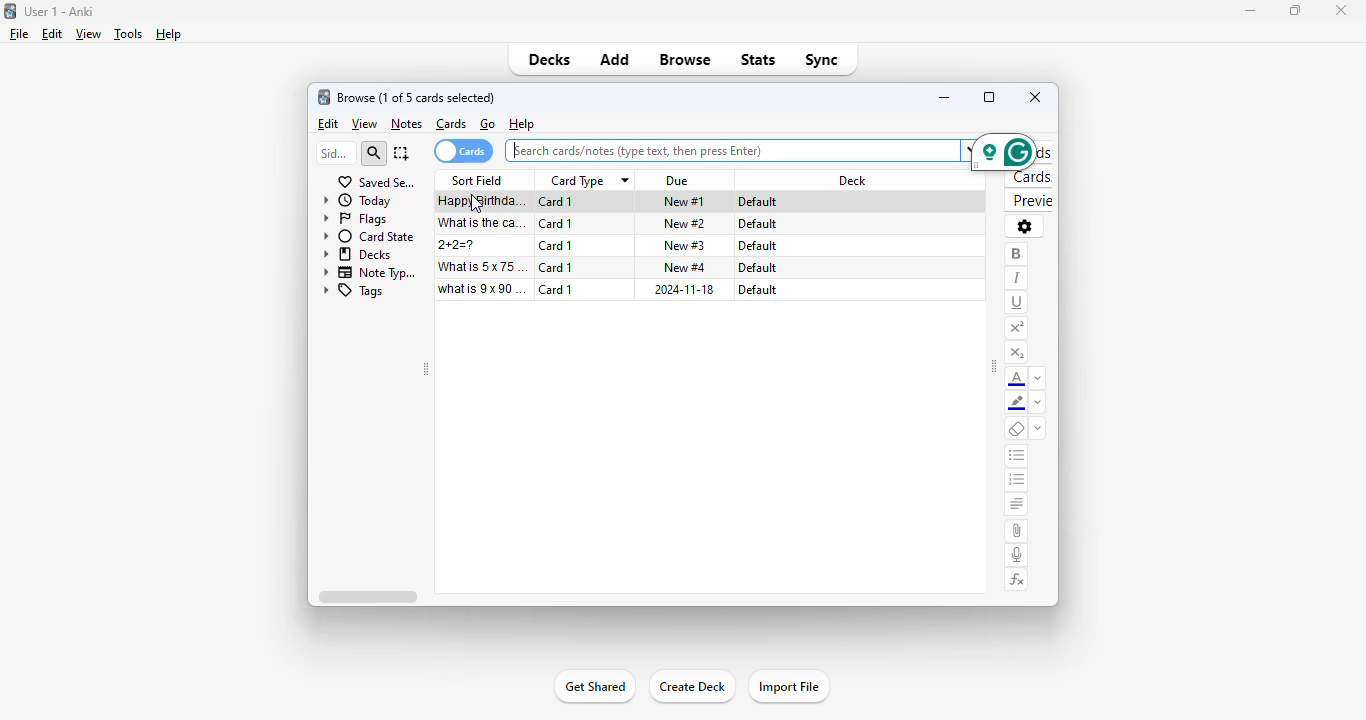  What do you see at coordinates (1015, 279) in the screenshot?
I see `italic` at bounding box center [1015, 279].